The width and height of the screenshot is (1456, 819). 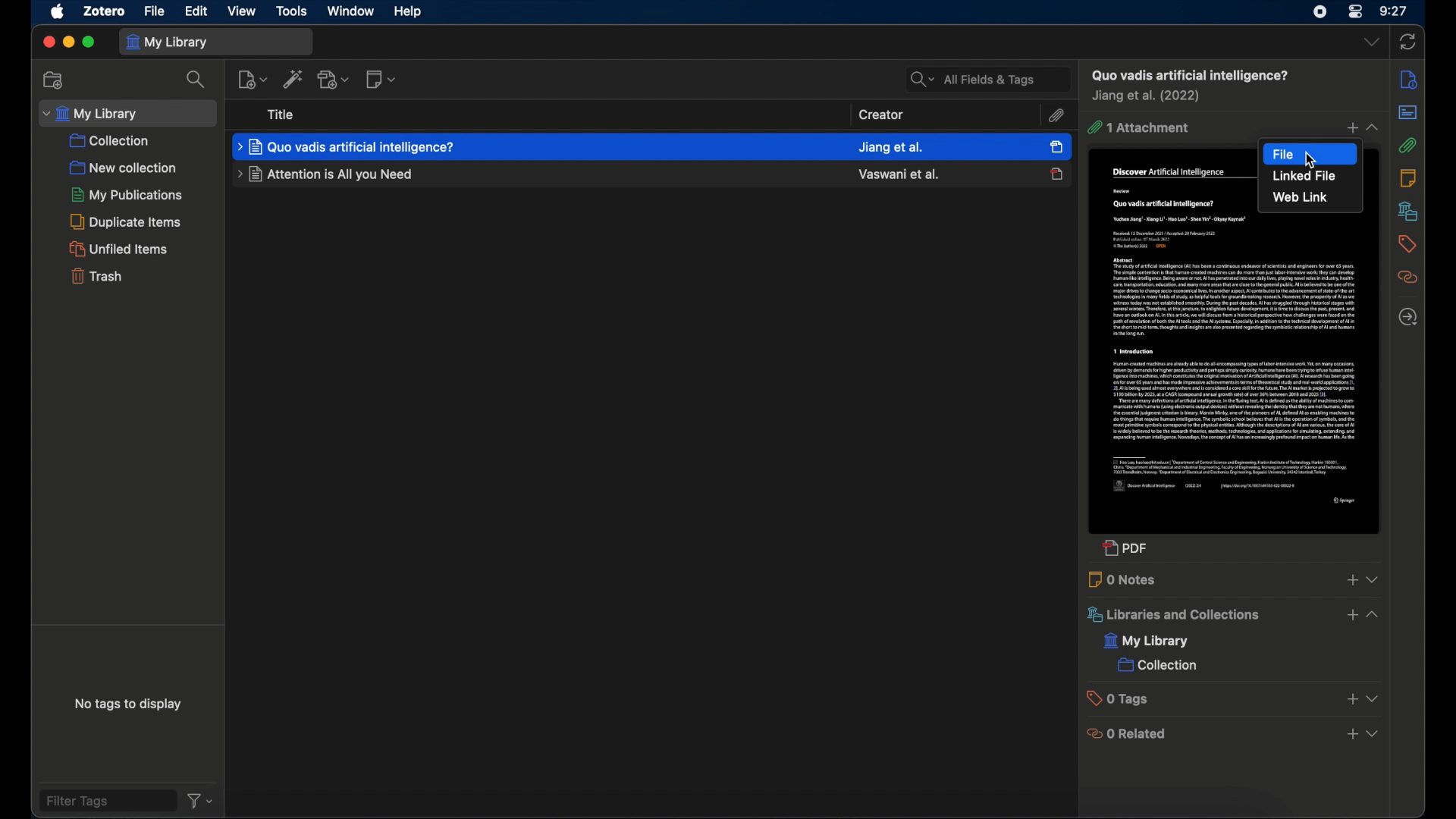 I want to click on 0 notes, so click(x=1124, y=579).